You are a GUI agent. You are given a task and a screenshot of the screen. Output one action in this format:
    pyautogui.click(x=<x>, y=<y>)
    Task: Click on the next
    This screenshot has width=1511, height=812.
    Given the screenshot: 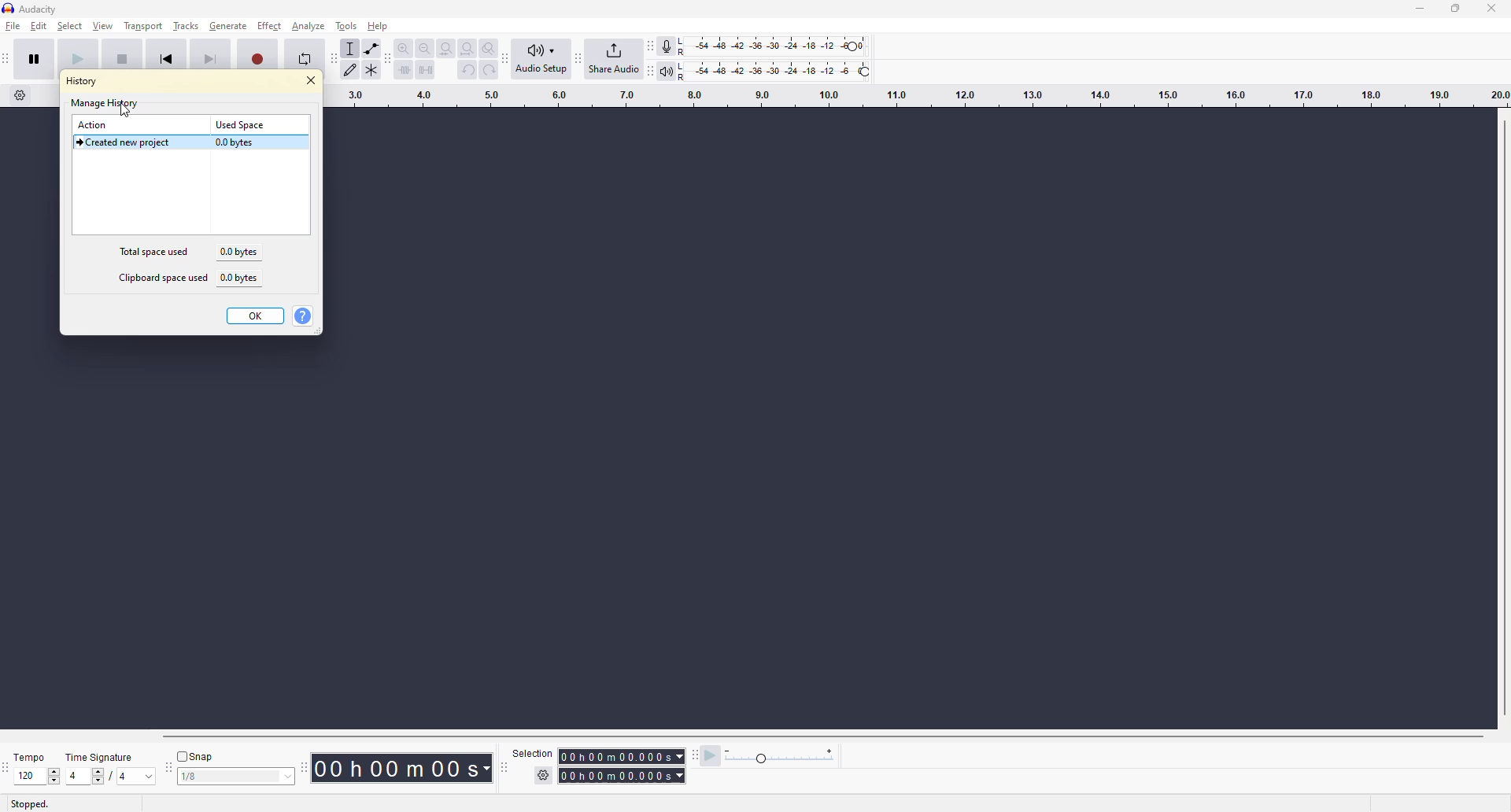 What is the action you would take?
    pyautogui.click(x=211, y=59)
    